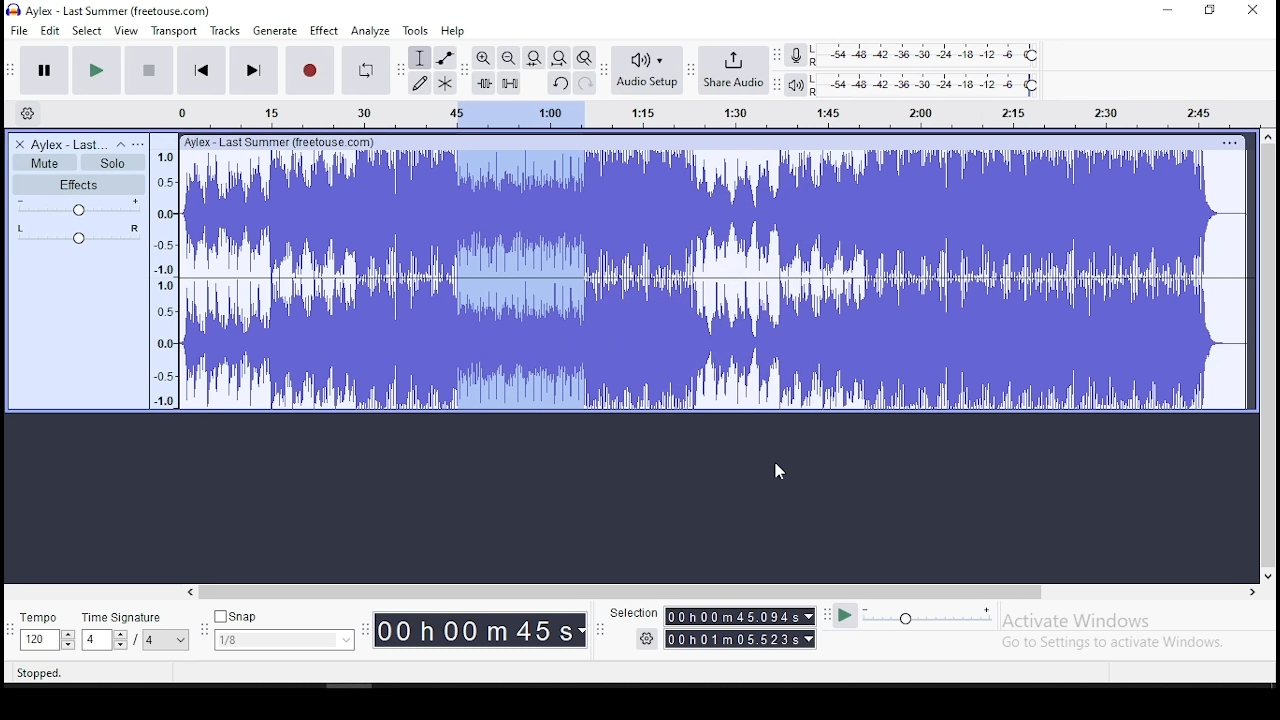  What do you see at coordinates (325, 31) in the screenshot?
I see `effect` at bounding box center [325, 31].